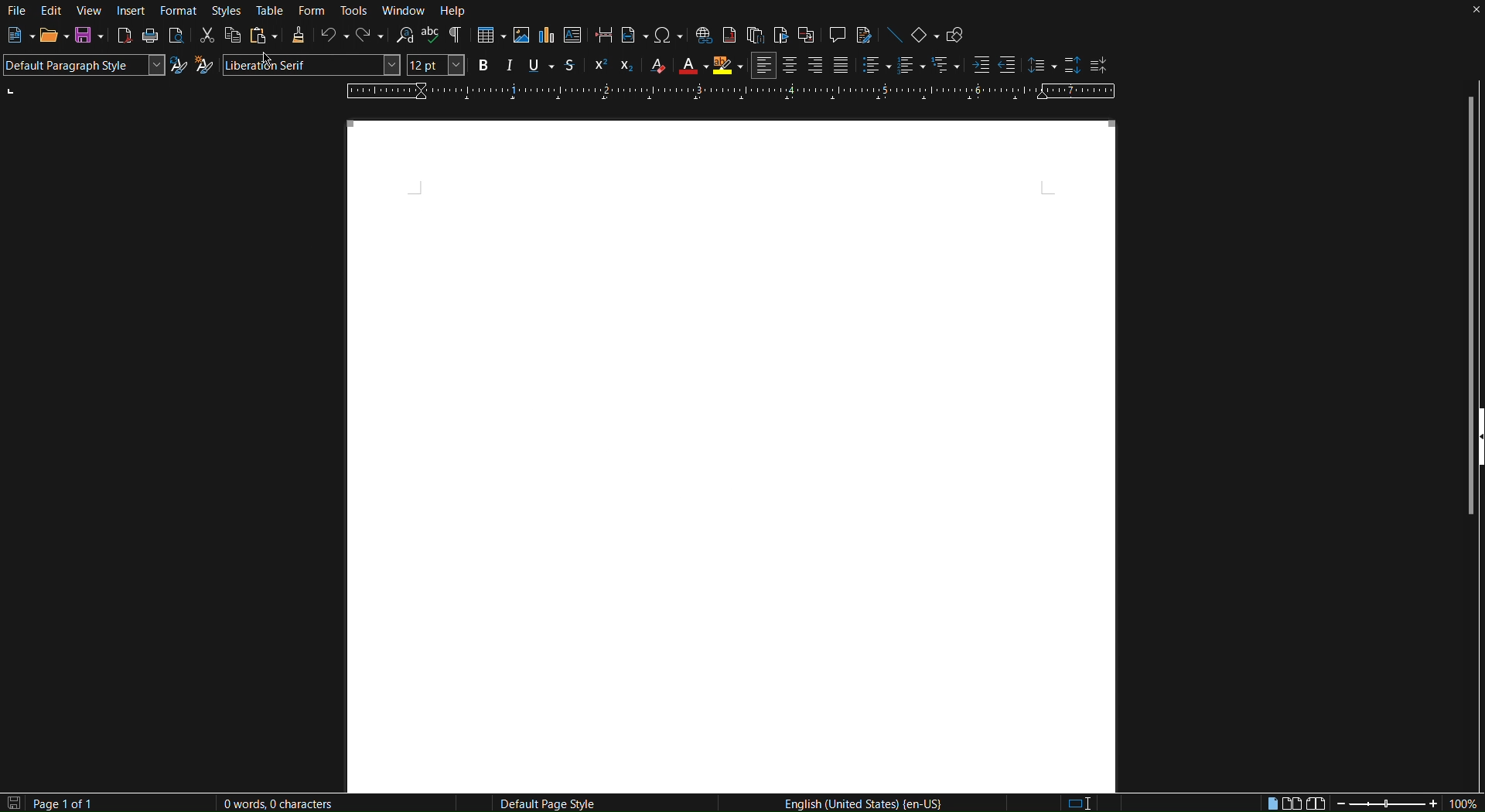 The width and height of the screenshot is (1485, 812). Describe the element at coordinates (271, 11) in the screenshot. I see `Table` at that location.